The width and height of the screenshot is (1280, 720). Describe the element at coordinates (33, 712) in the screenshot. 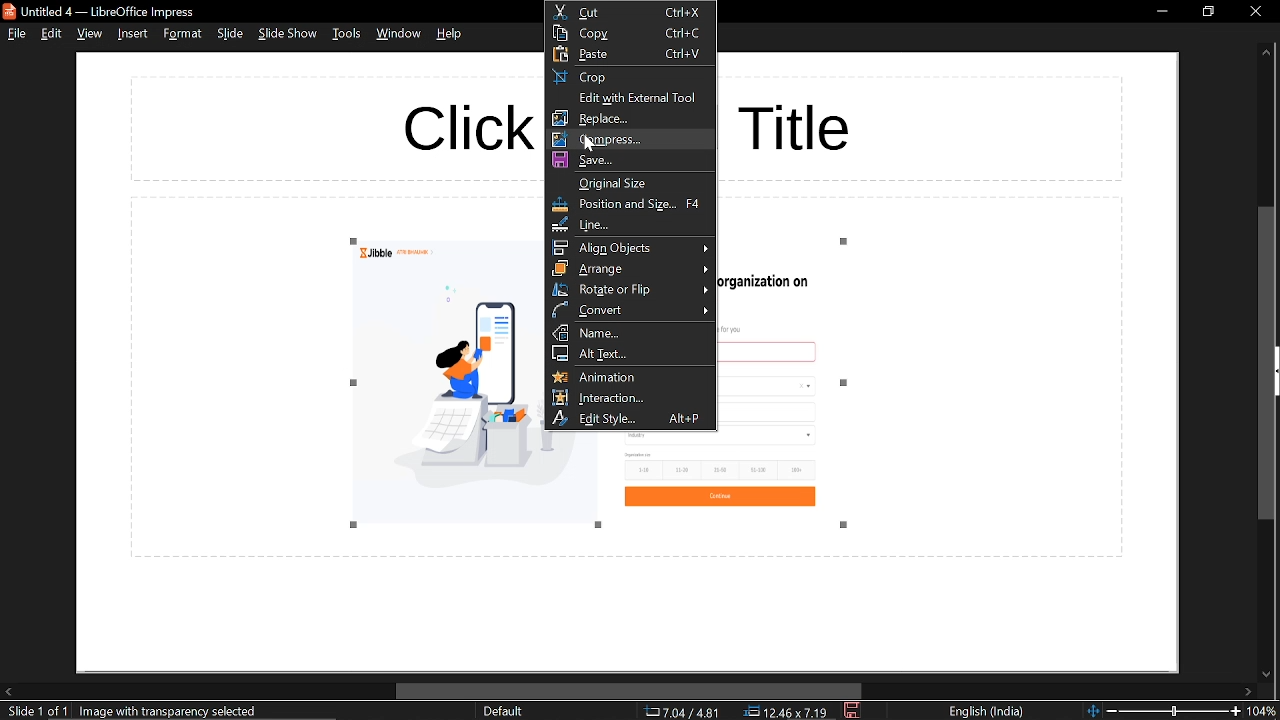

I see `current slide` at that location.